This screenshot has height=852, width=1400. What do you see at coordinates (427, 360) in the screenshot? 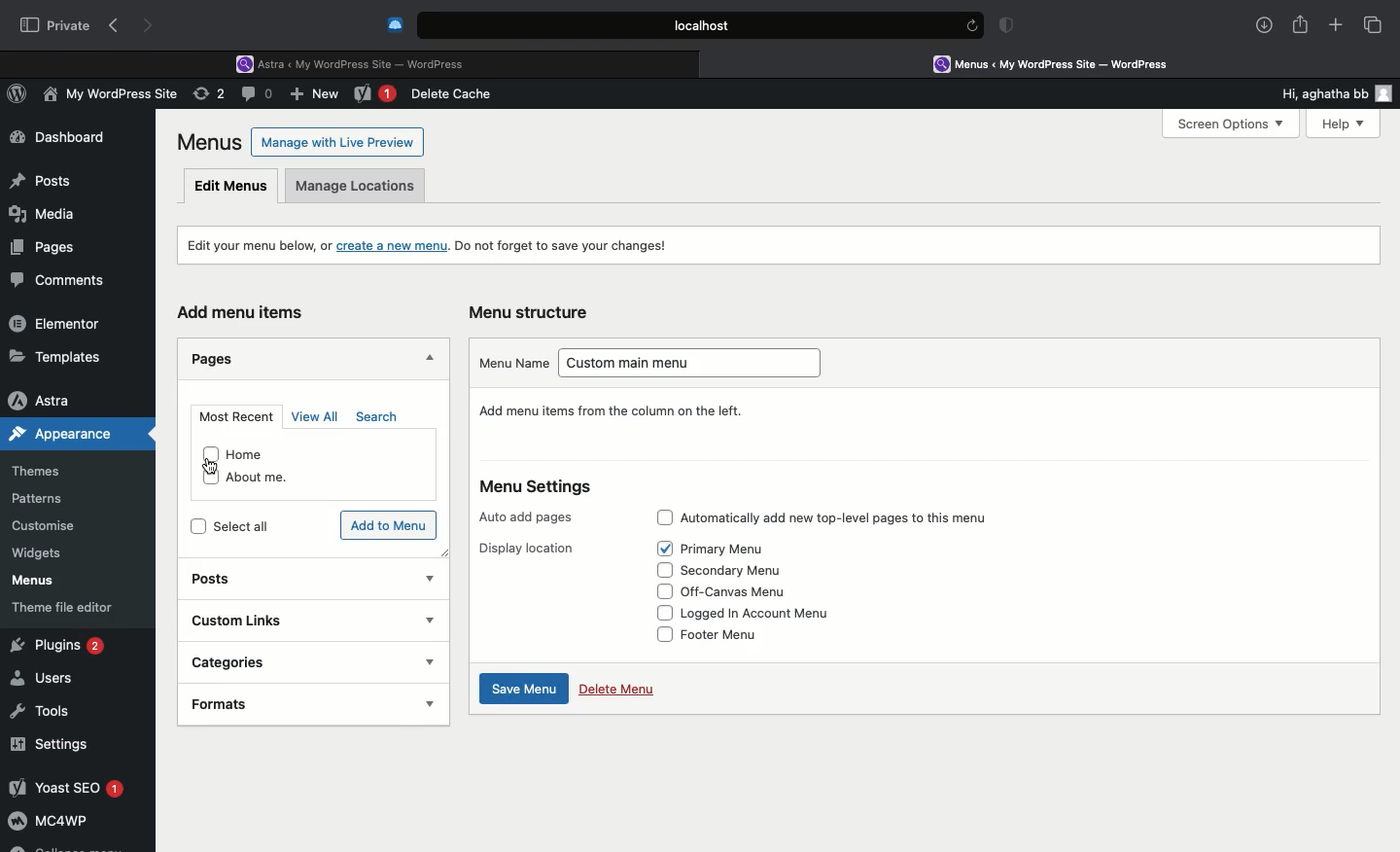
I see `Hide` at bounding box center [427, 360].